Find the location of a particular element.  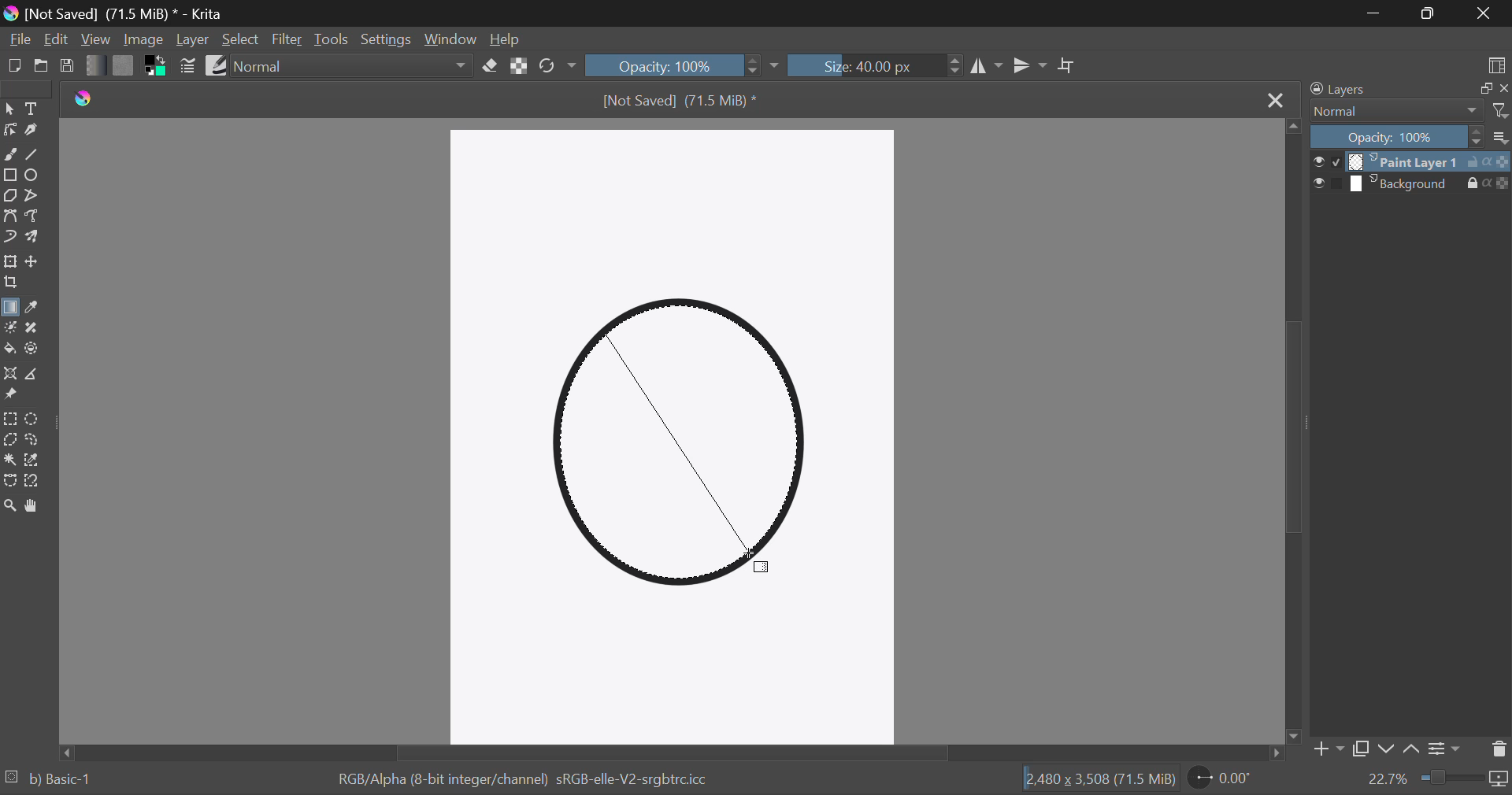

Move Layers is located at coordinates (35, 264).